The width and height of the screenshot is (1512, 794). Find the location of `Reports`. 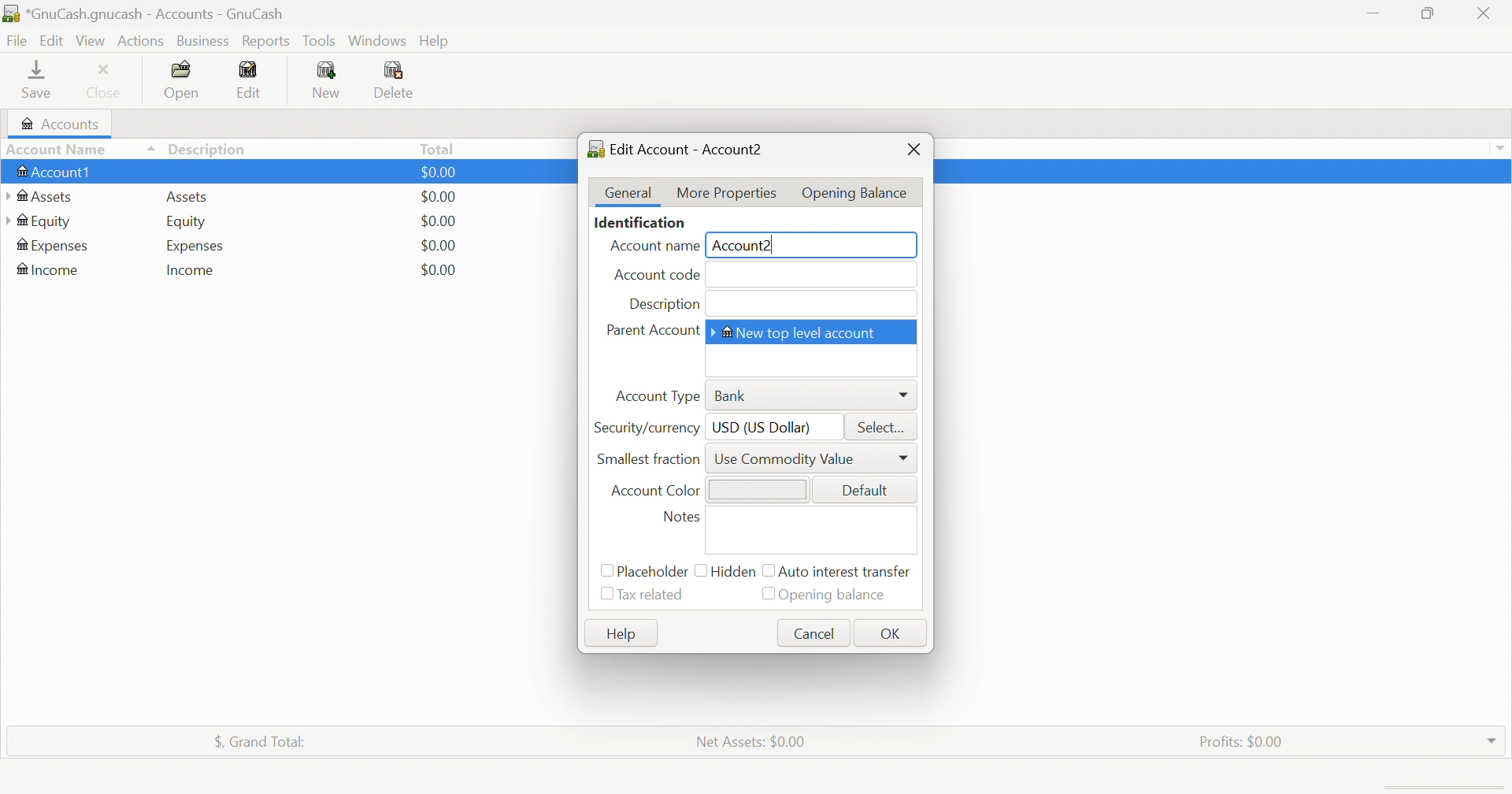

Reports is located at coordinates (266, 42).